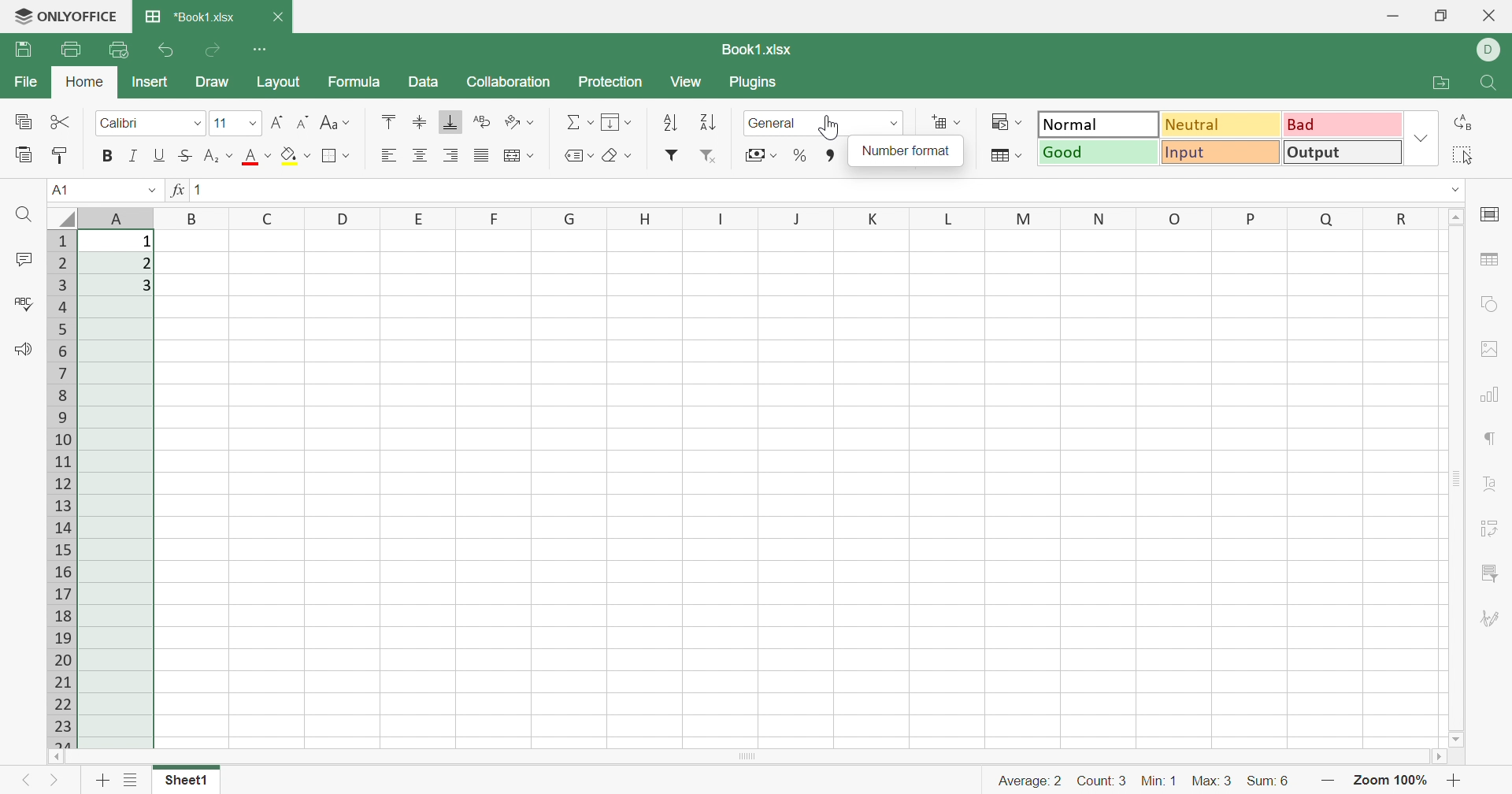  I want to click on Bad, so click(1341, 121).